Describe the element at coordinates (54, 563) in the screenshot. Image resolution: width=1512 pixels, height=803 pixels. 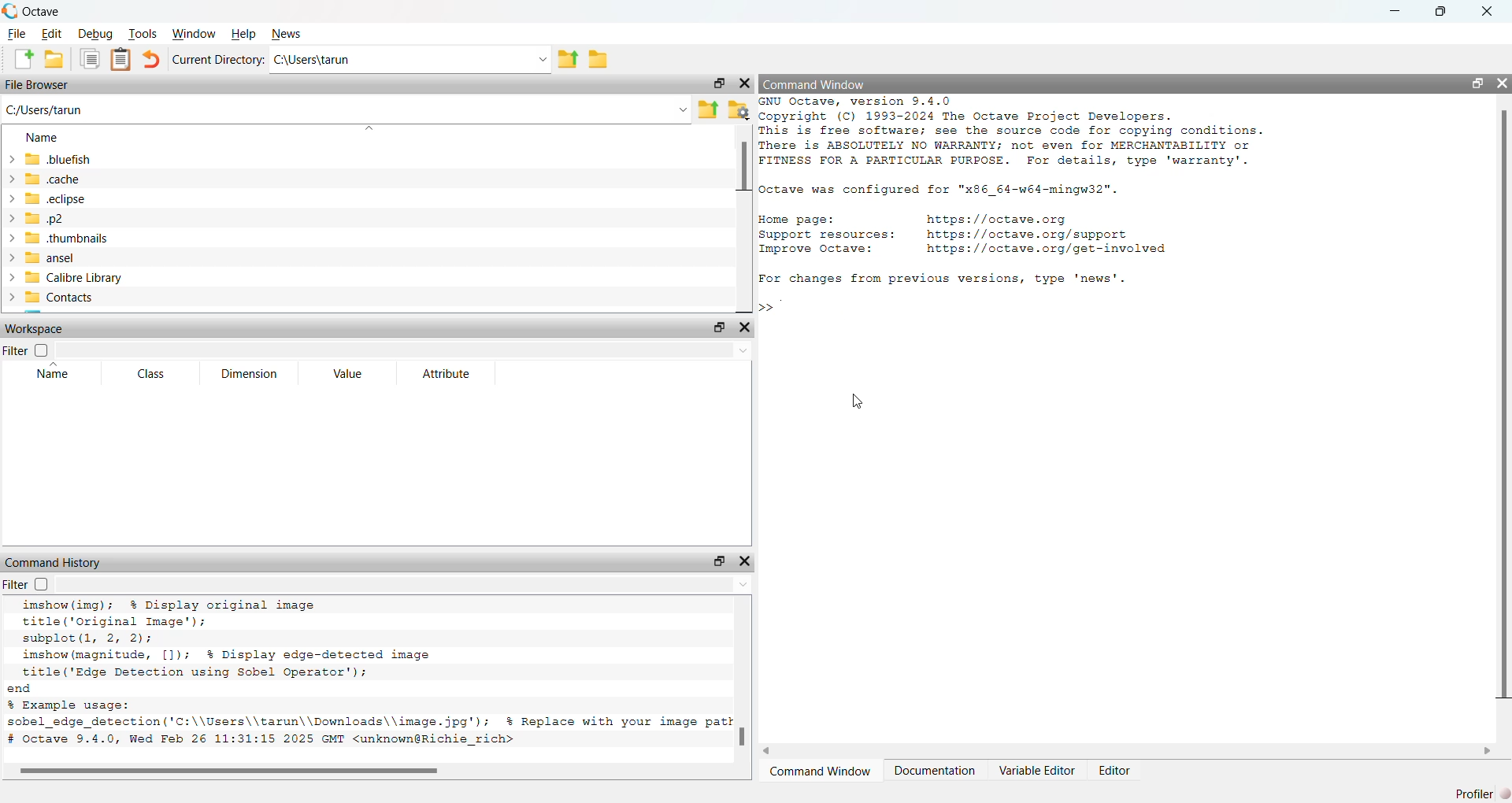
I see `Command History` at that location.